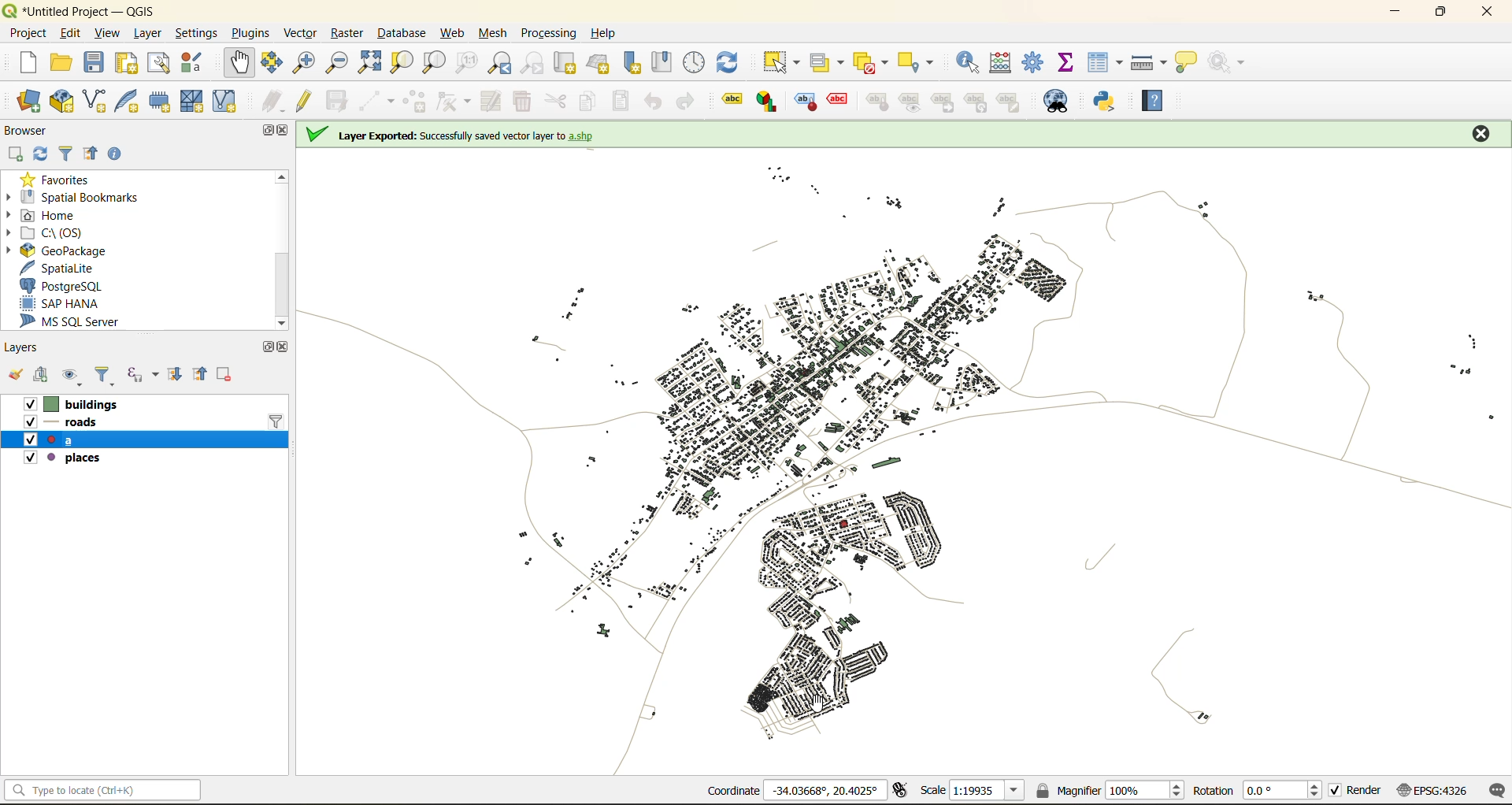 The image size is (1512, 805). Describe the element at coordinates (406, 32) in the screenshot. I see `database` at that location.